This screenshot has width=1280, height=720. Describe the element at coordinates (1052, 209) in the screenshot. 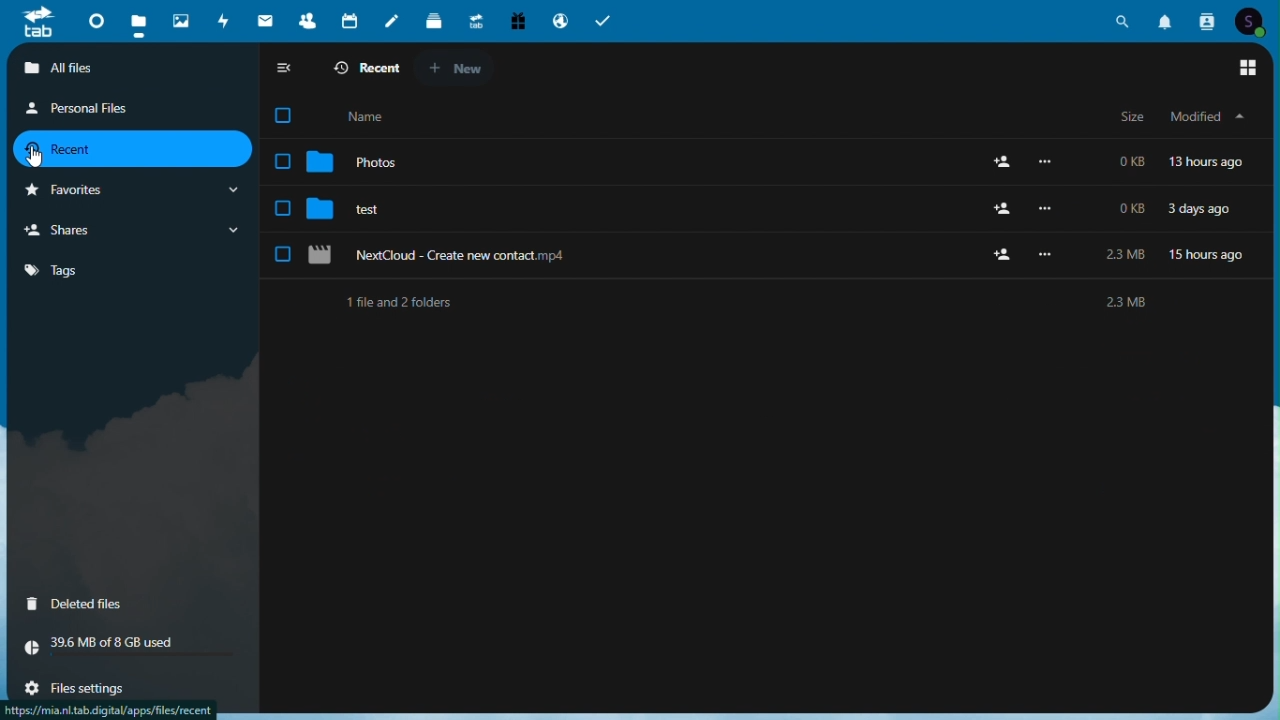

I see `more options` at that location.